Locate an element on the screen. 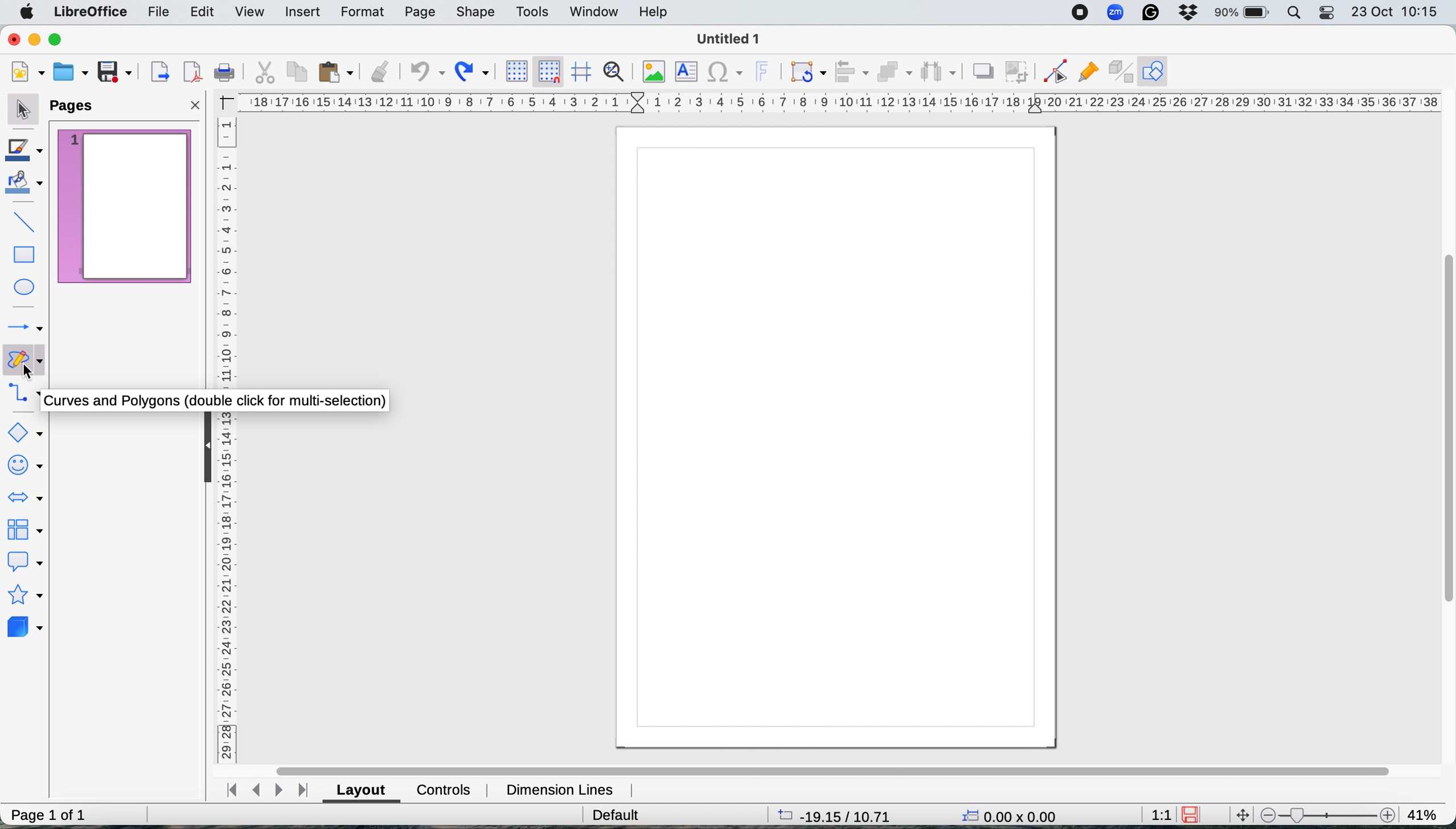 This screenshot has width=1456, height=829. spotlight search is located at coordinates (1297, 12).